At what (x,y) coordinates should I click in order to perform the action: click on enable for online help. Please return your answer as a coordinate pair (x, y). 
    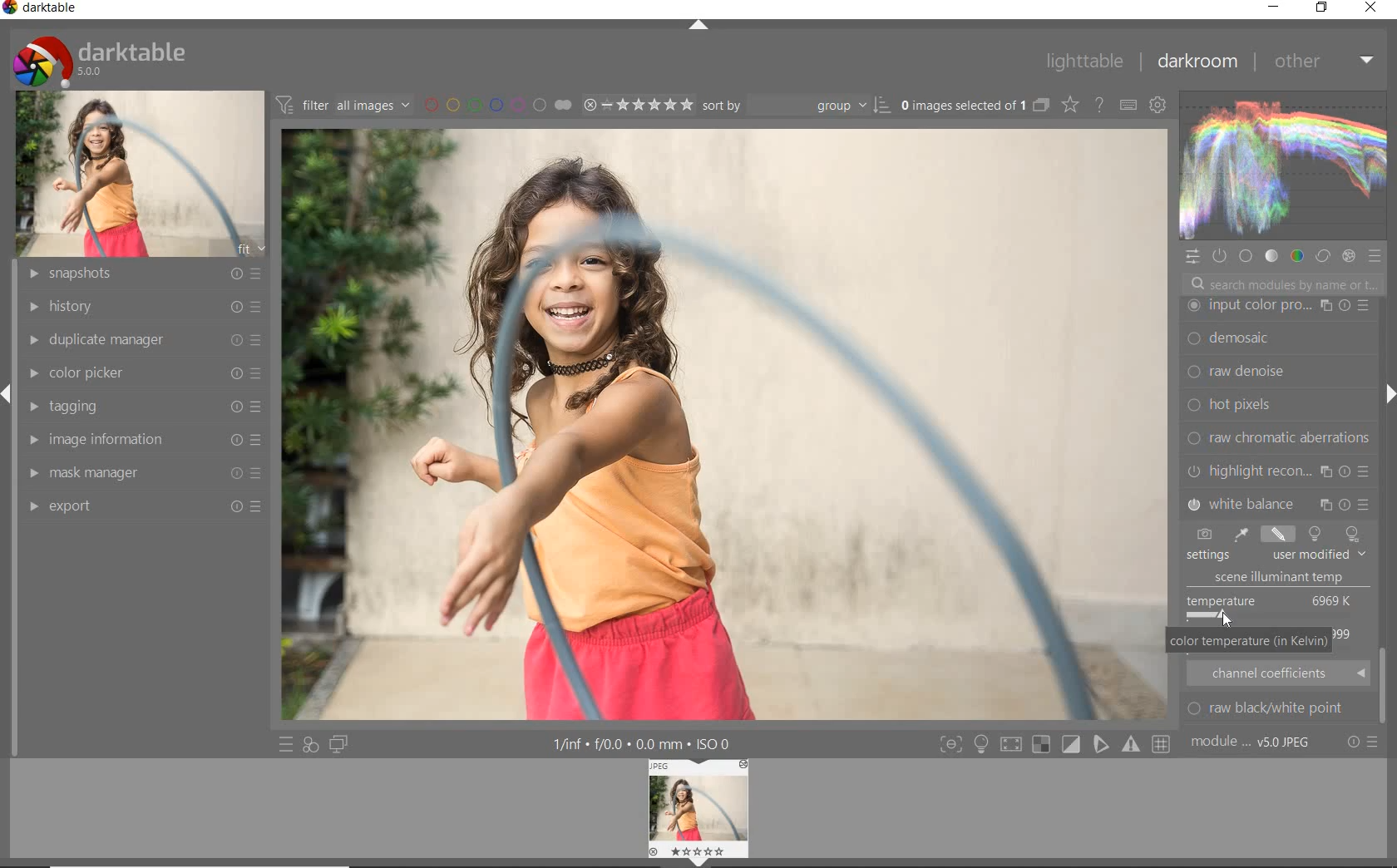
    Looking at the image, I should click on (1098, 105).